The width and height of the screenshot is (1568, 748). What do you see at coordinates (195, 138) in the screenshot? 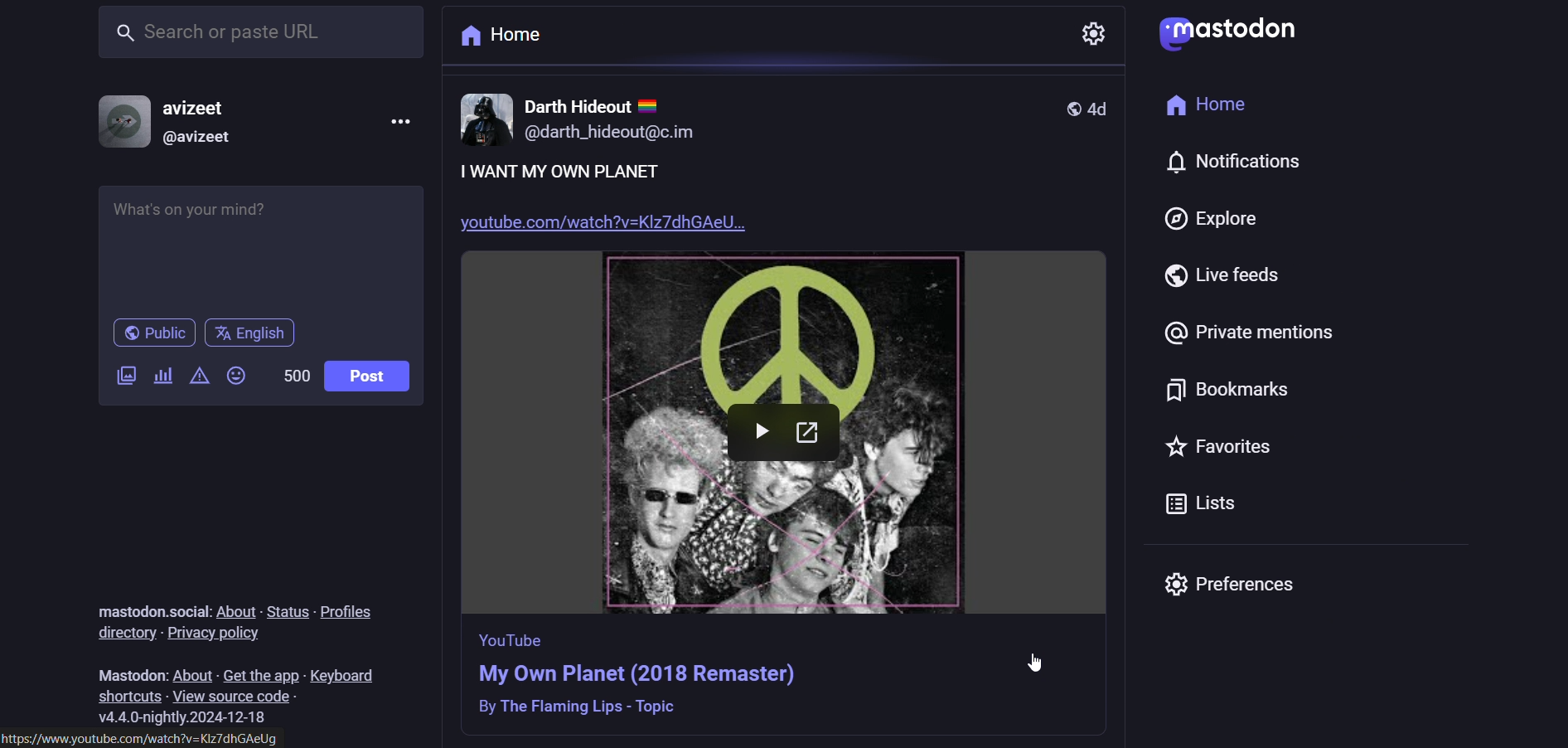
I see `@username` at bounding box center [195, 138].